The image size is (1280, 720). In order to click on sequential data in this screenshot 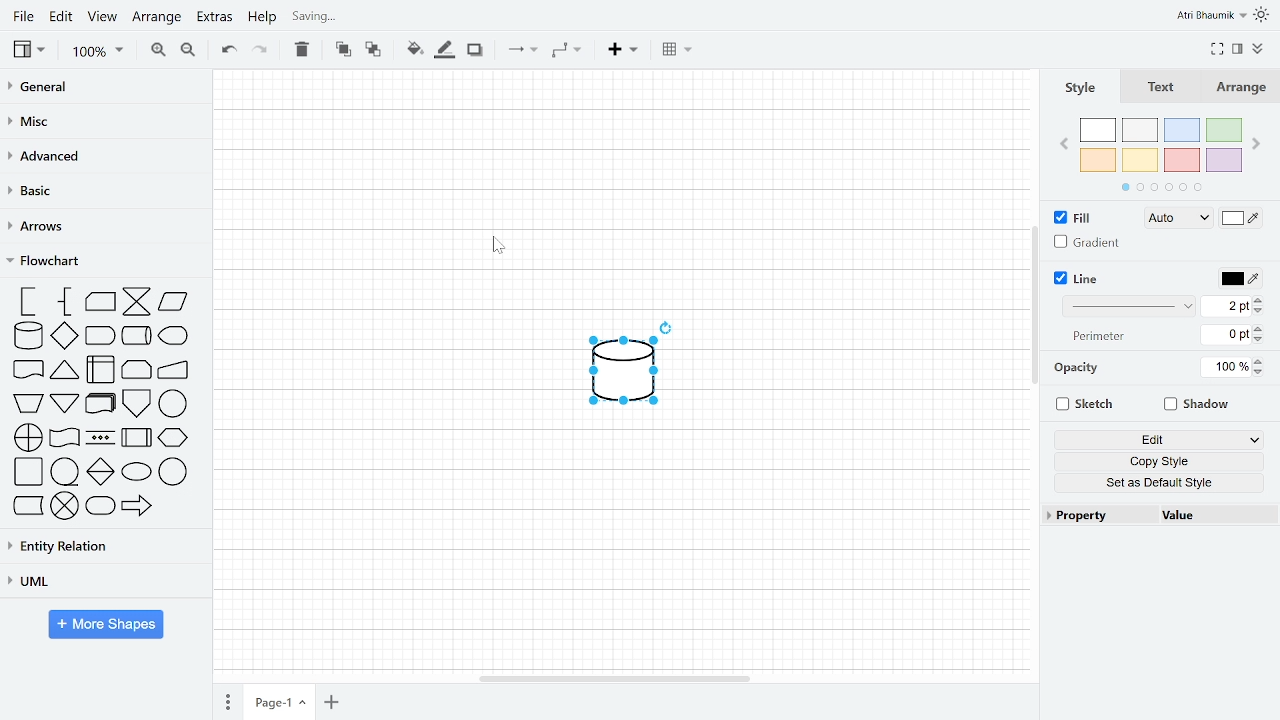, I will do `click(65, 472)`.